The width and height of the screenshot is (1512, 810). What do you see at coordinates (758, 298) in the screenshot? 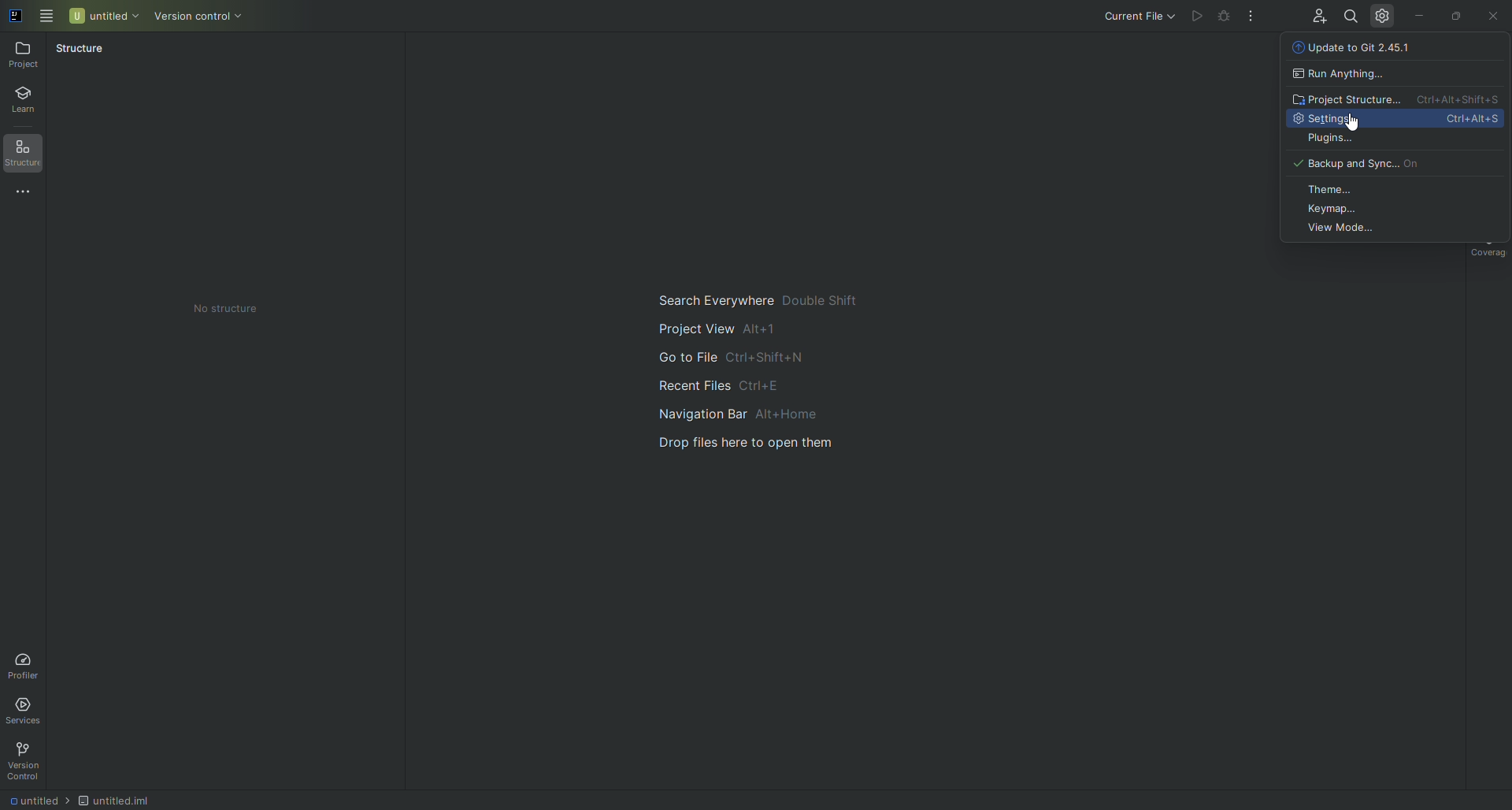
I see `Search Everywhere` at bounding box center [758, 298].